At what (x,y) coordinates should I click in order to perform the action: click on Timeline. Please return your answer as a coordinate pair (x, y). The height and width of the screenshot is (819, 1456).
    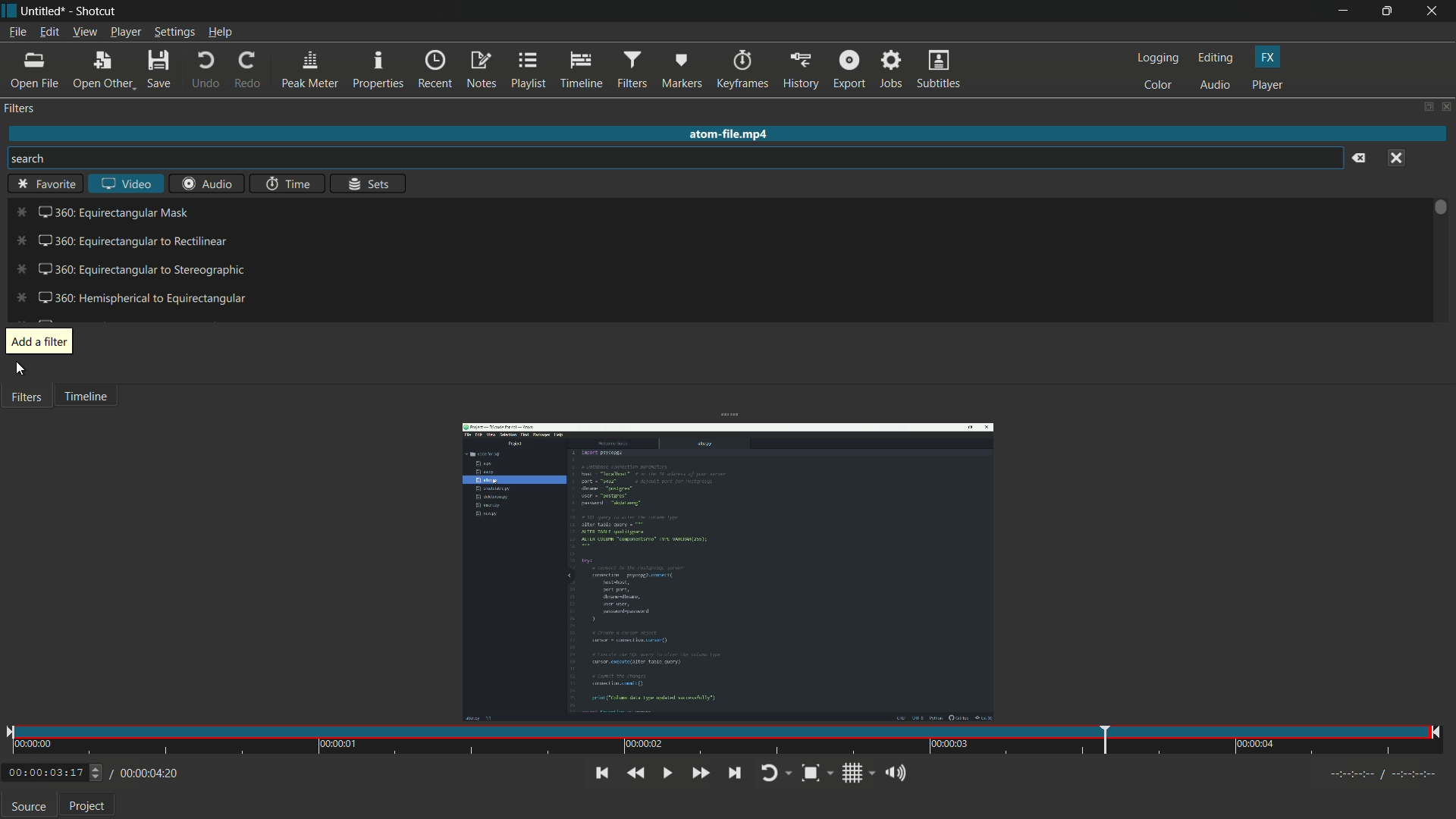
    Looking at the image, I should click on (102, 401).